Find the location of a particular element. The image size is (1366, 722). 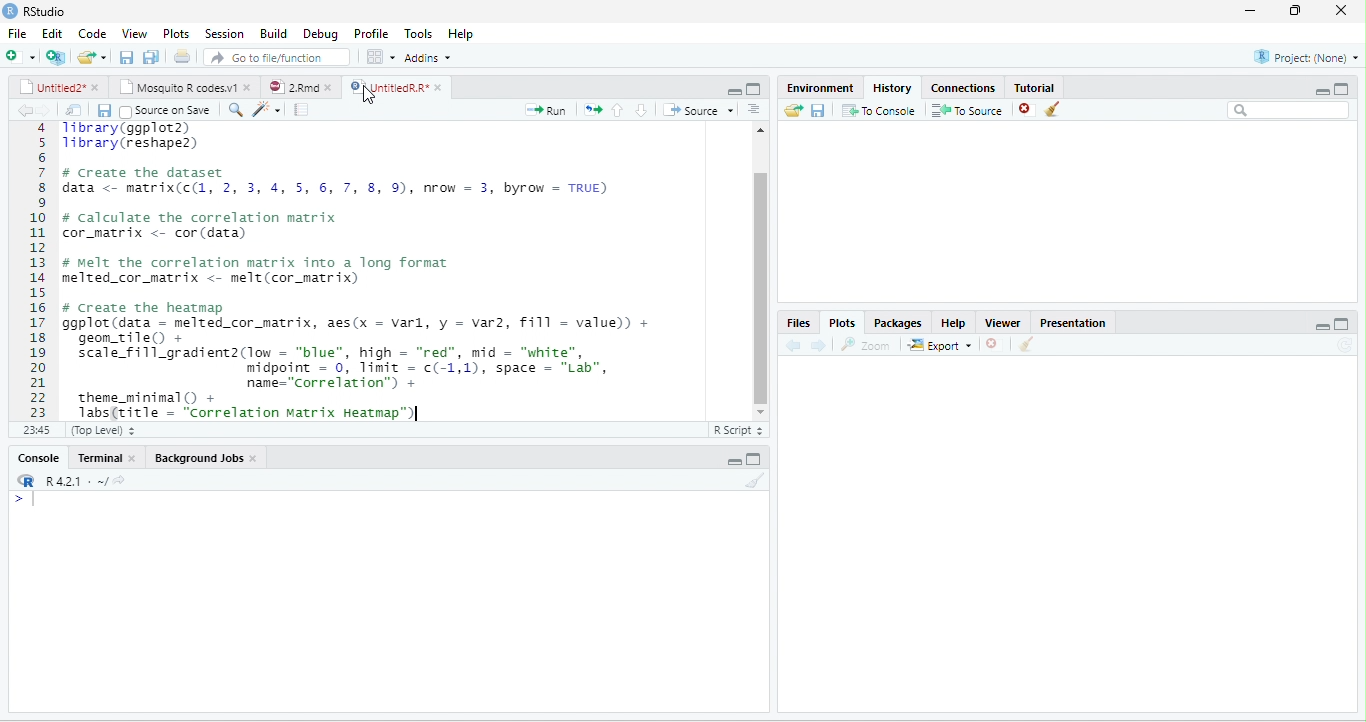

help is located at coordinates (468, 34).